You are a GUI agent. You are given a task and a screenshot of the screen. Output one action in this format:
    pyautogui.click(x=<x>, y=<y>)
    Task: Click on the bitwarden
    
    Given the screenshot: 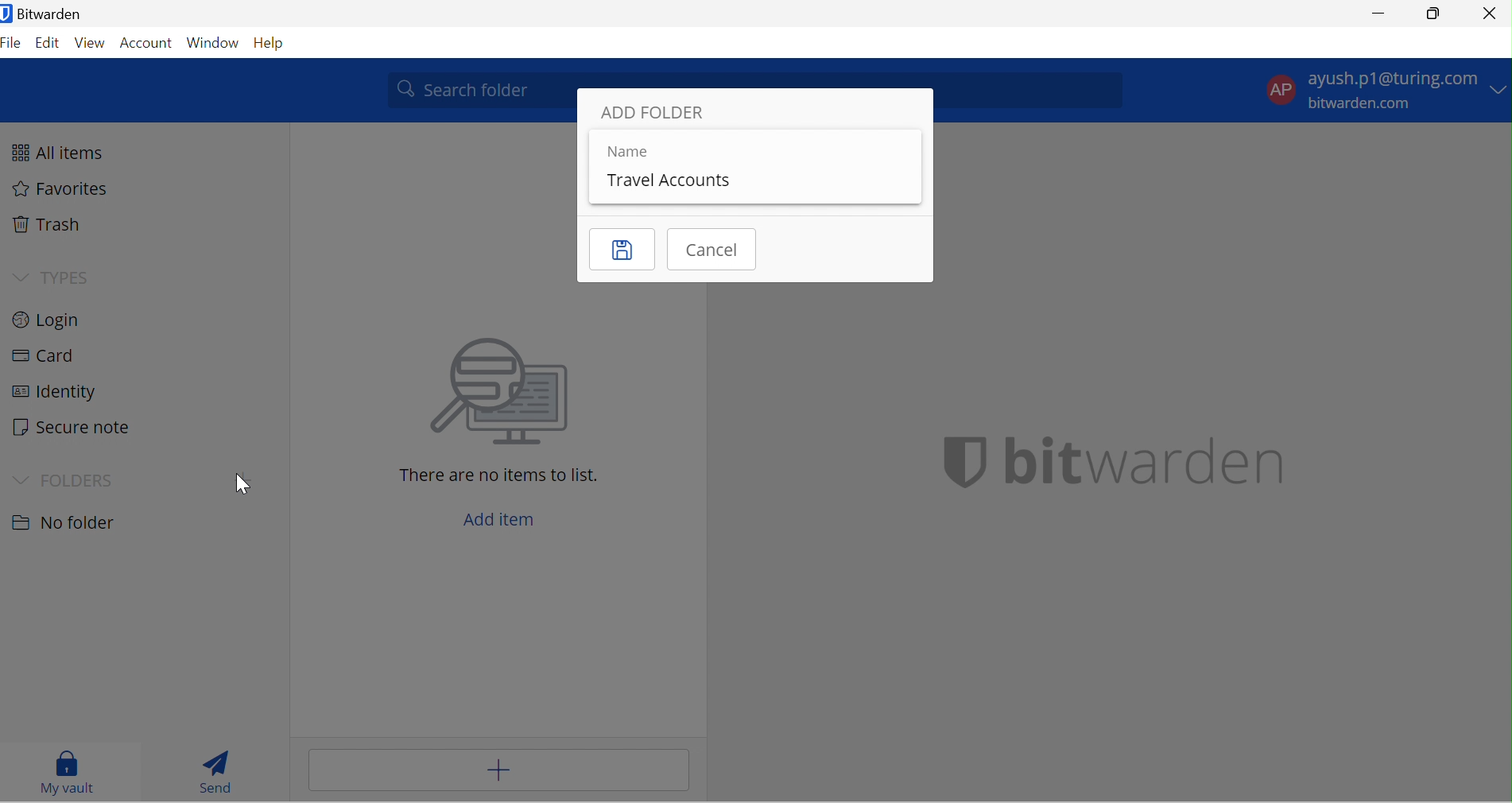 What is the action you would take?
    pyautogui.click(x=1115, y=462)
    